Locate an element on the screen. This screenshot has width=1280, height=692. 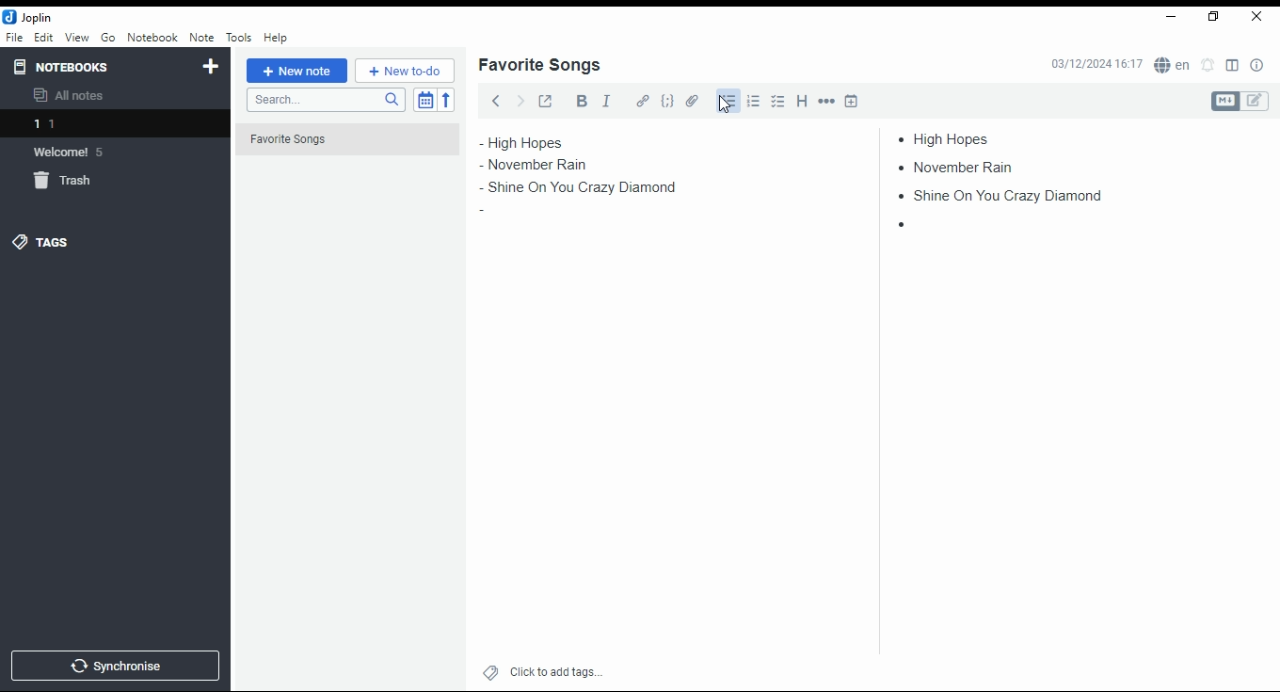
icon is located at coordinates (30, 17).